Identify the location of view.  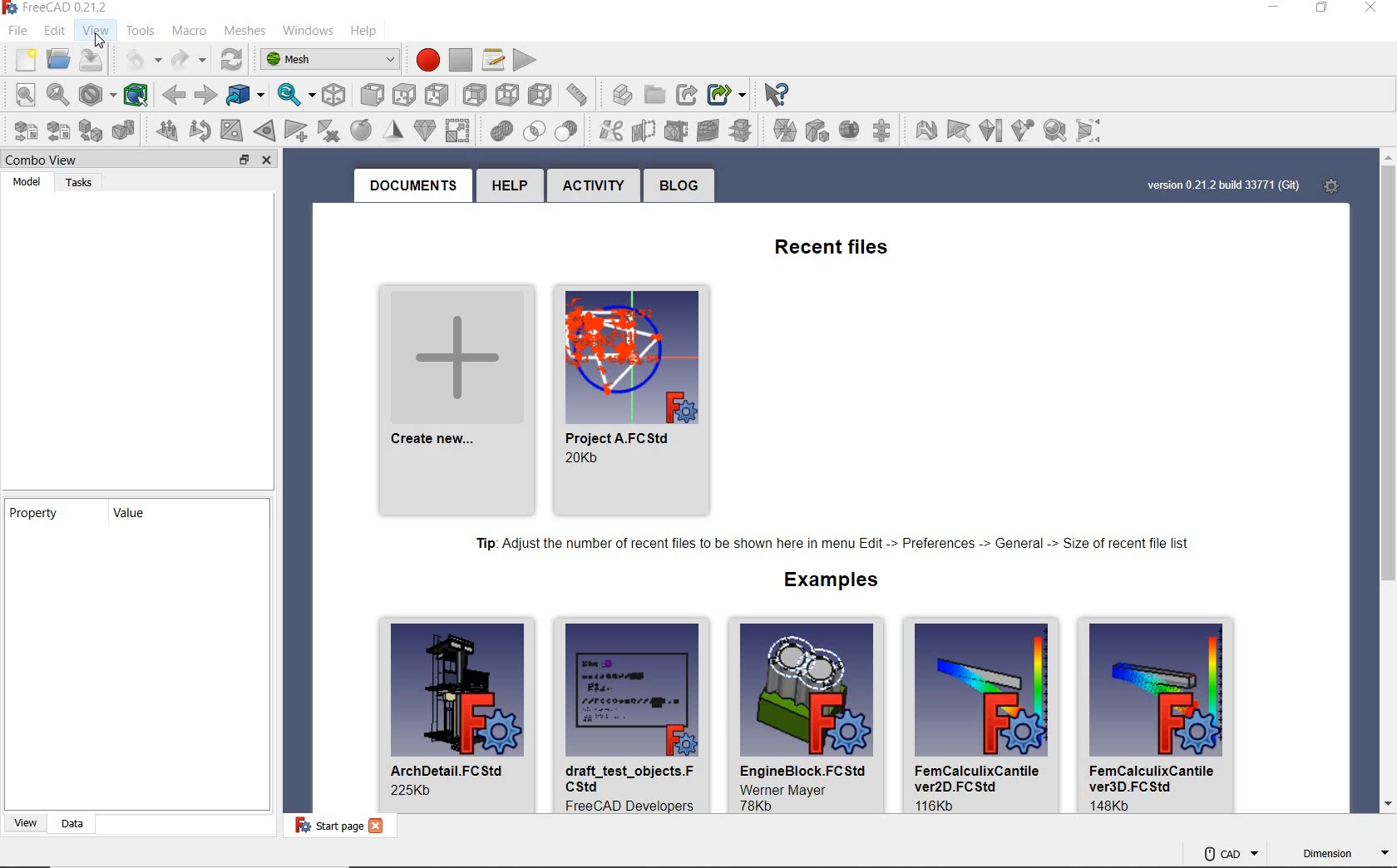
(91, 29).